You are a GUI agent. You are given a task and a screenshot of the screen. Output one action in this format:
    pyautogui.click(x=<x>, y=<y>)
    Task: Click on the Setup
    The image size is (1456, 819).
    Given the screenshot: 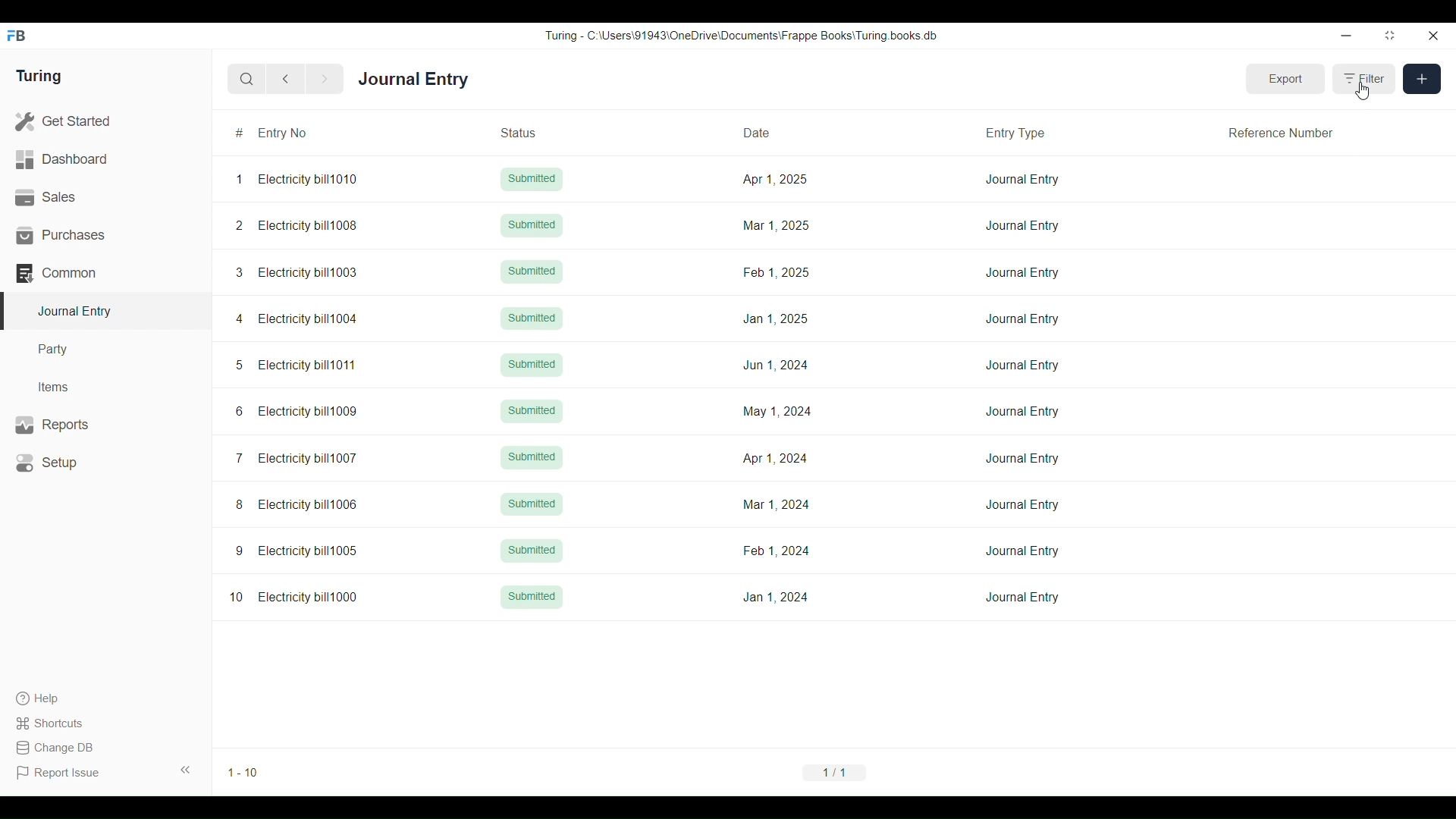 What is the action you would take?
    pyautogui.click(x=106, y=463)
    